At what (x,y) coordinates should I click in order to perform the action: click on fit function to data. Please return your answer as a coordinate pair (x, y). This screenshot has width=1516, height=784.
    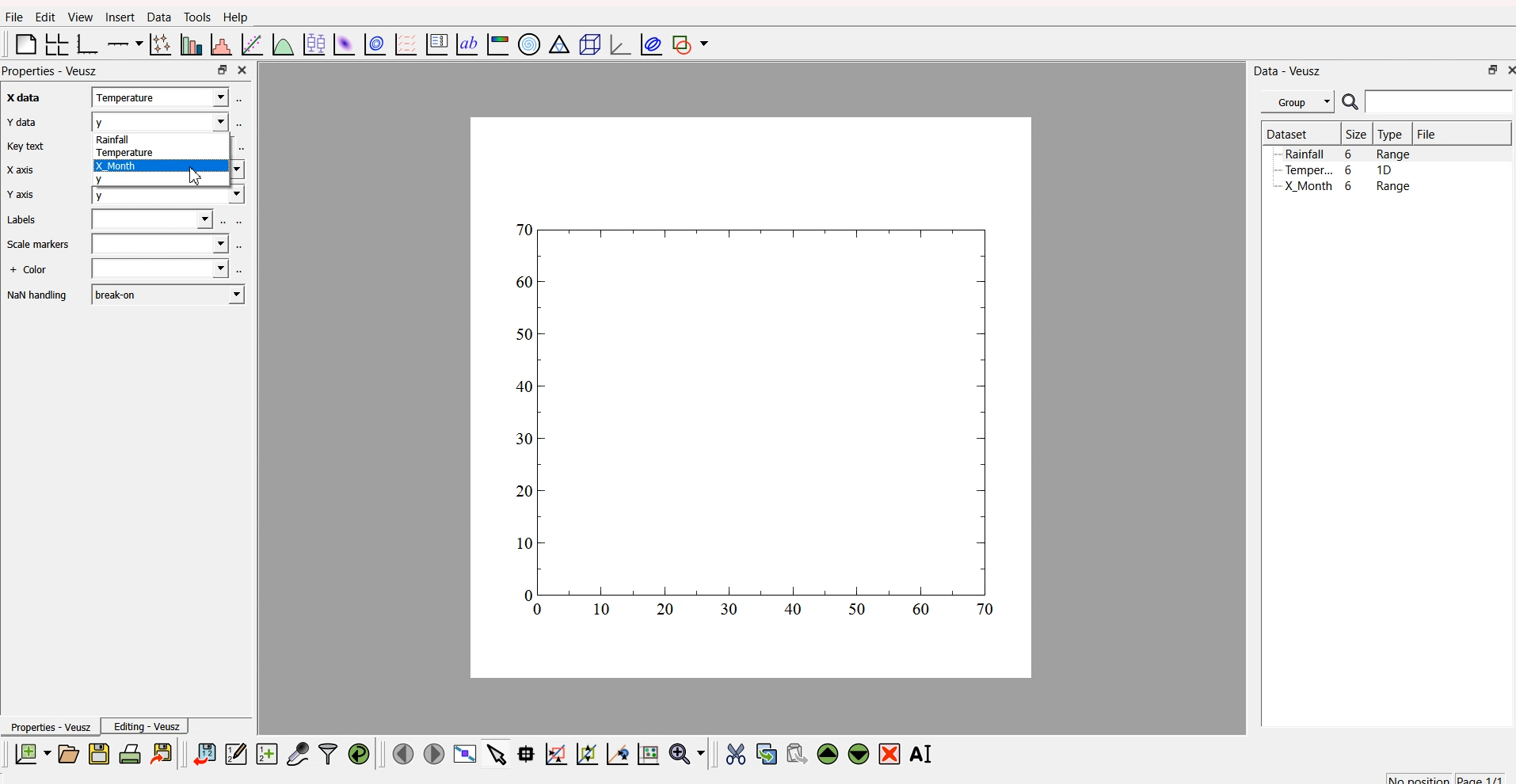
    Looking at the image, I should click on (252, 45).